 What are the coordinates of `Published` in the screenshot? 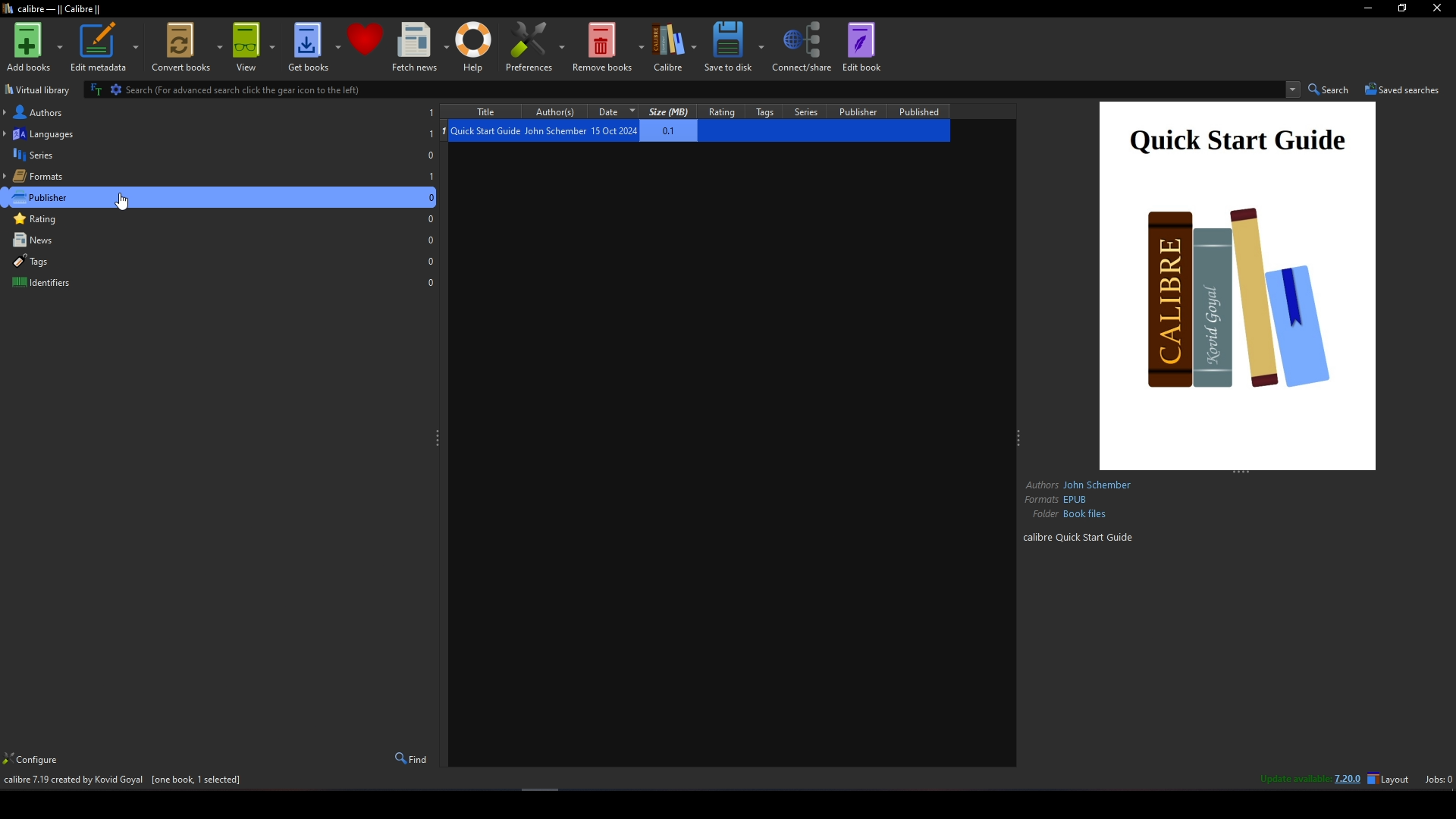 It's located at (920, 111).